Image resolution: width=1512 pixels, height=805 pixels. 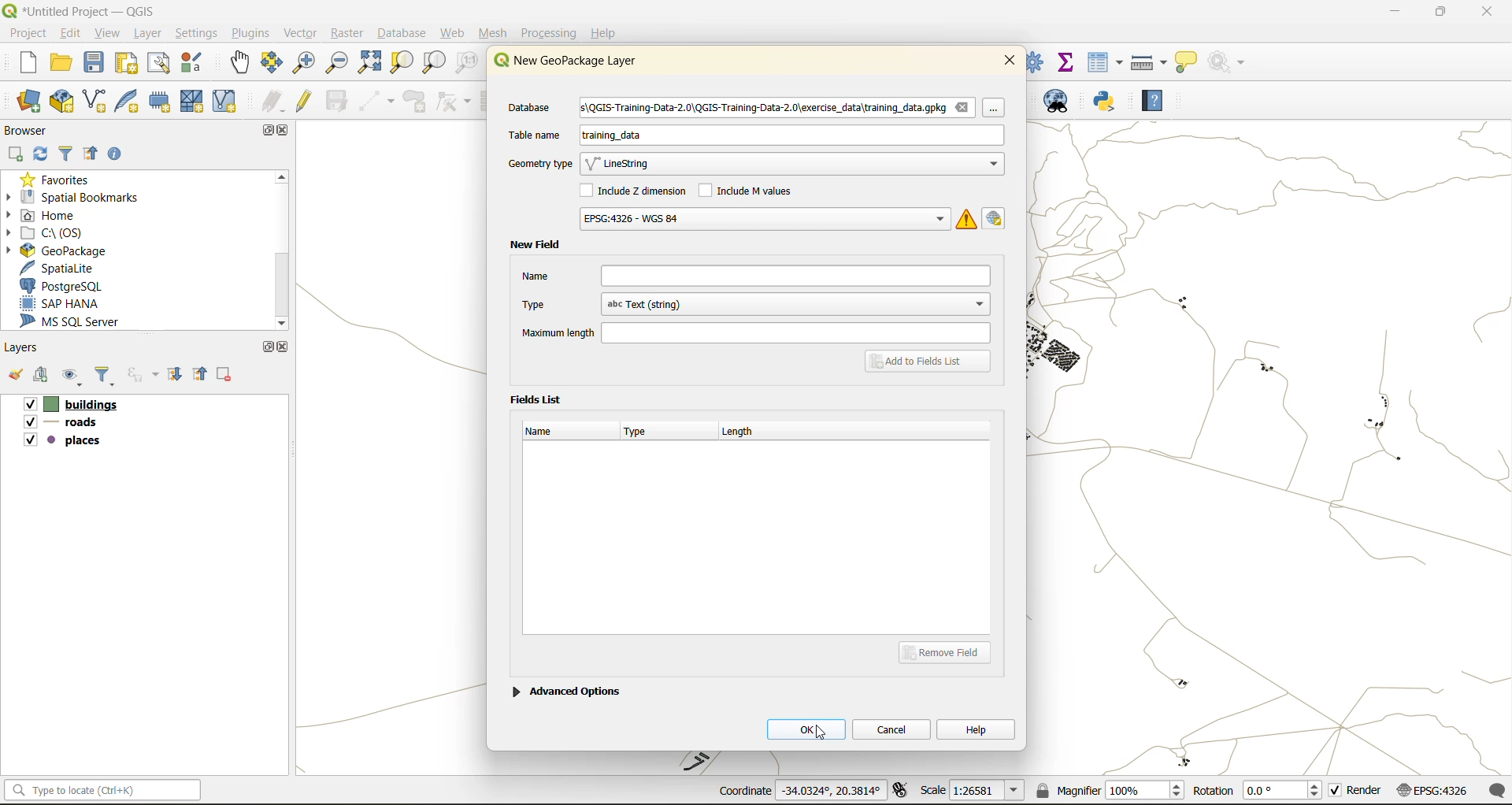 What do you see at coordinates (197, 33) in the screenshot?
I see `settings` at bounding box center [197, 33].